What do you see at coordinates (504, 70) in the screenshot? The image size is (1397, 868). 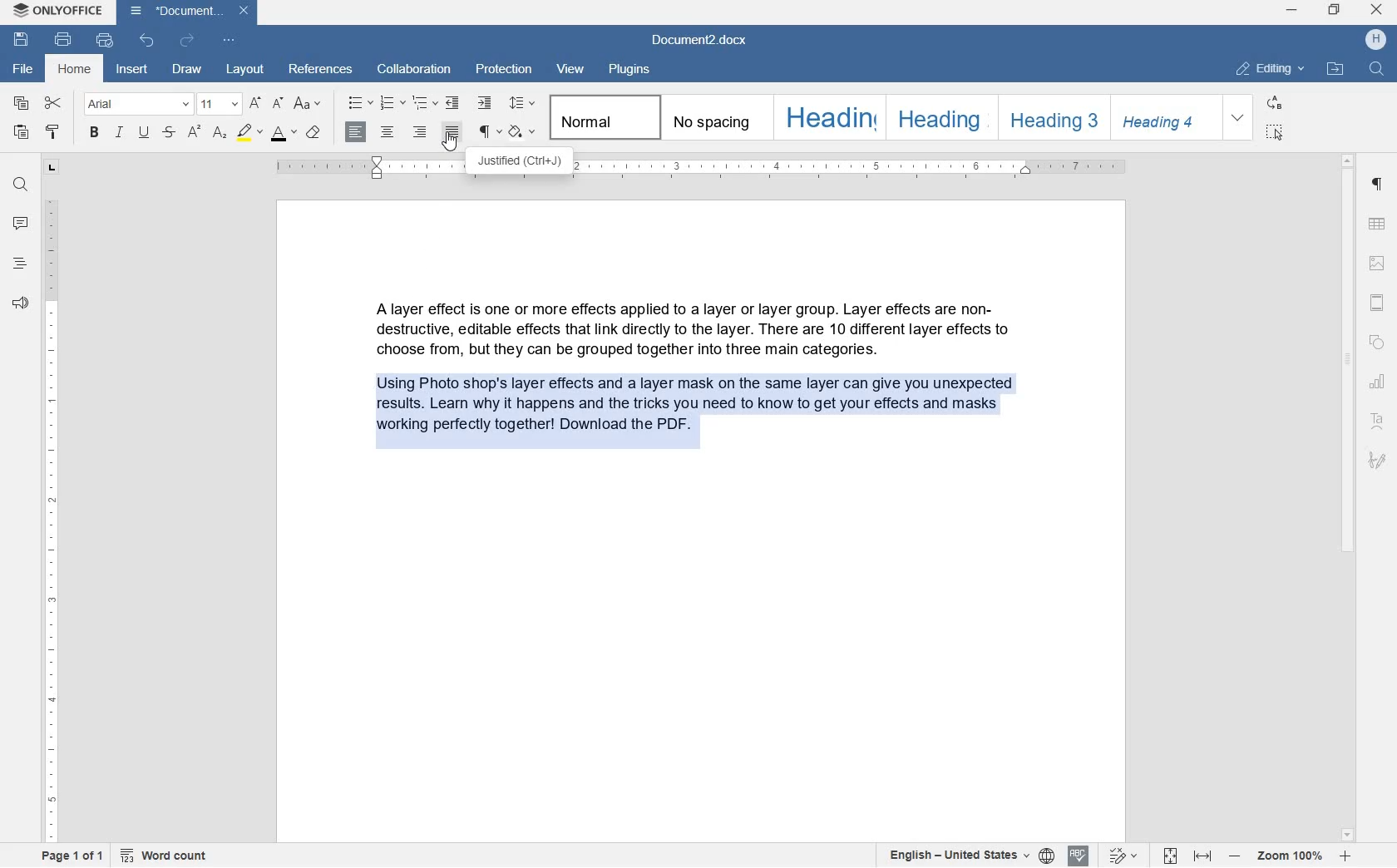 I see `PROTECTION` at bounding box center [504, 70].